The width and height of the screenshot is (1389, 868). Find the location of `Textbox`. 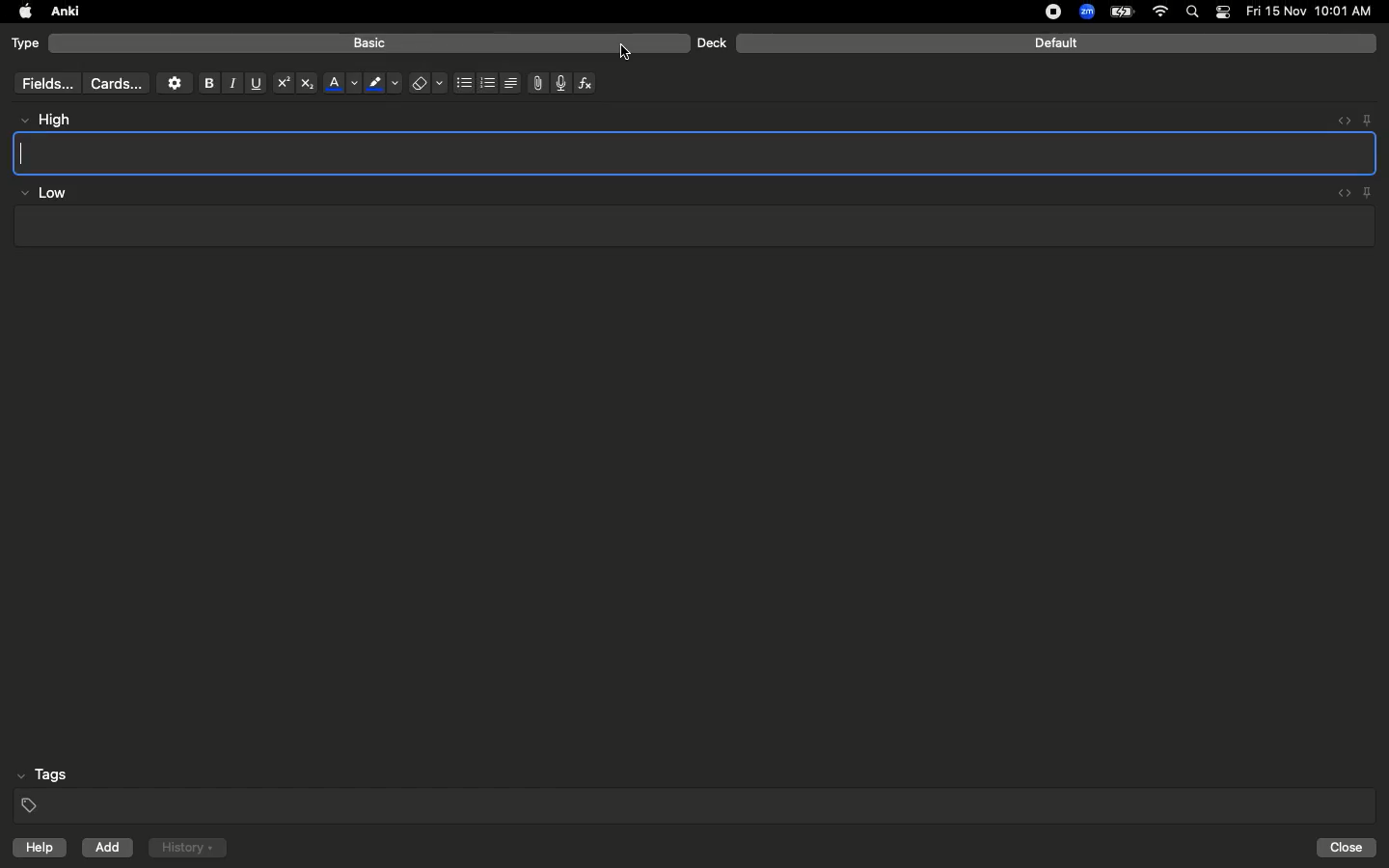

Textbox is located at coordinates (692, 227).